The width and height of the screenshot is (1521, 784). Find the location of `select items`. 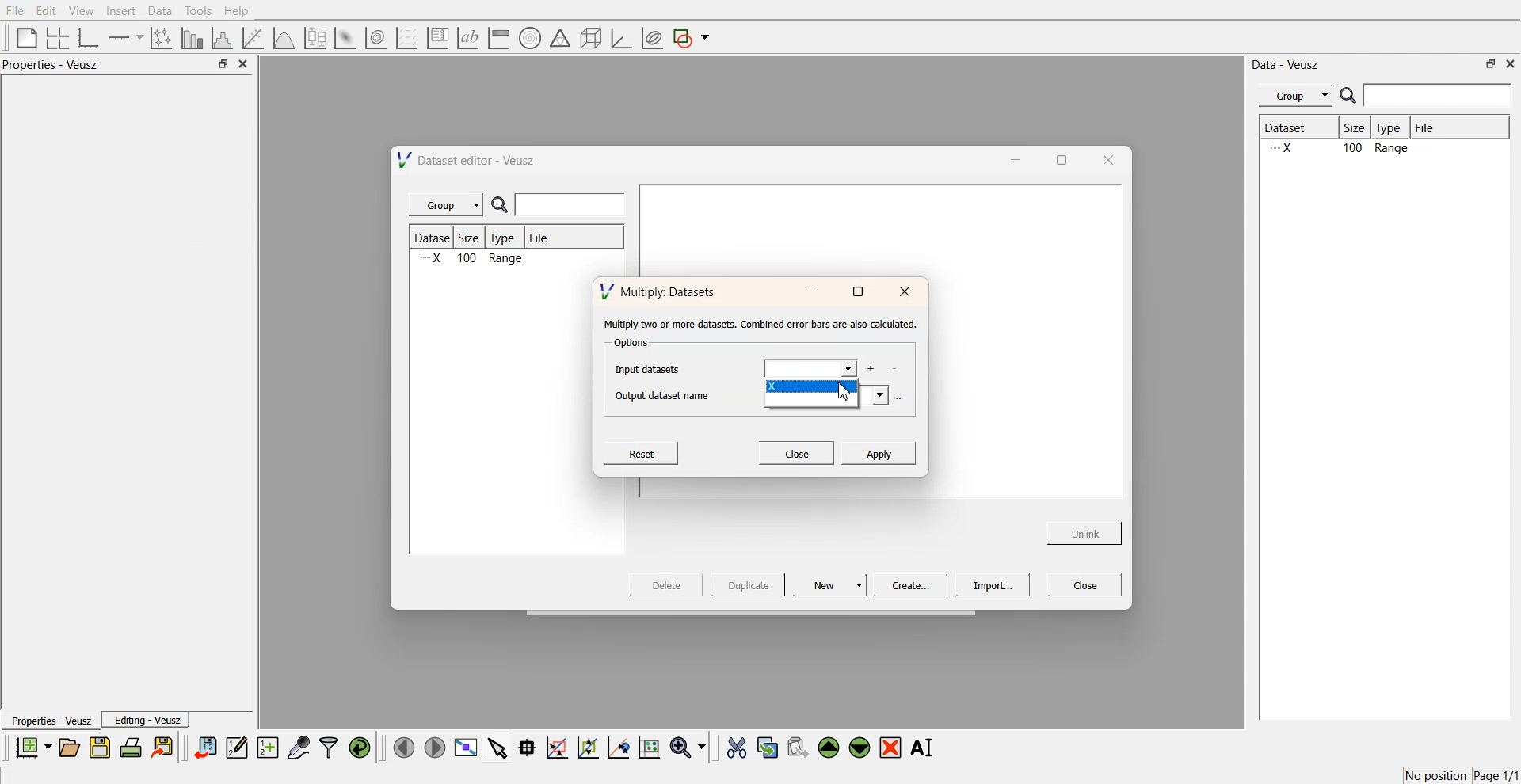

select items is located at coordinates (497, 747).